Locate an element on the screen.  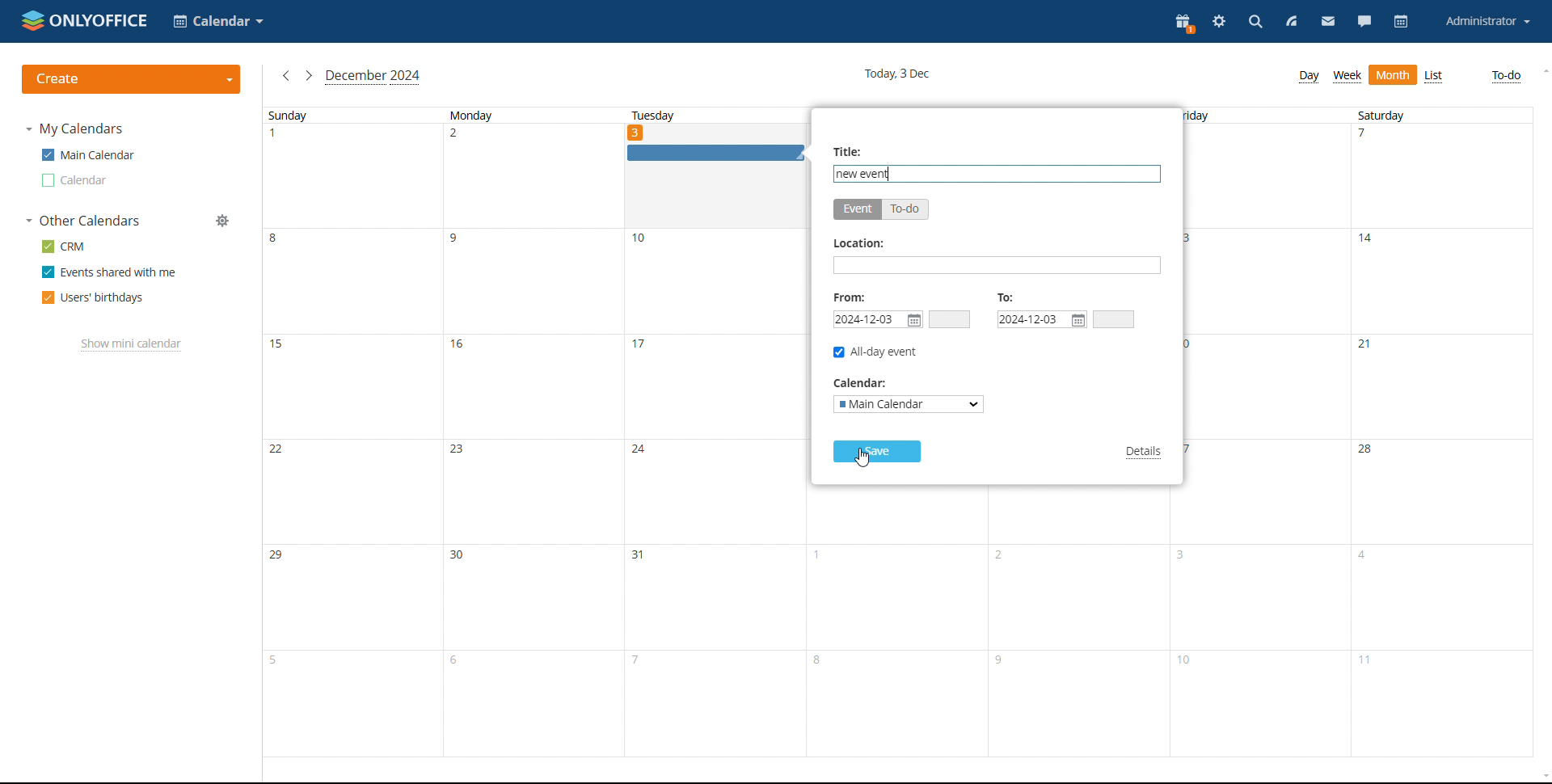
tuesday is located at coordinates (656, 114).